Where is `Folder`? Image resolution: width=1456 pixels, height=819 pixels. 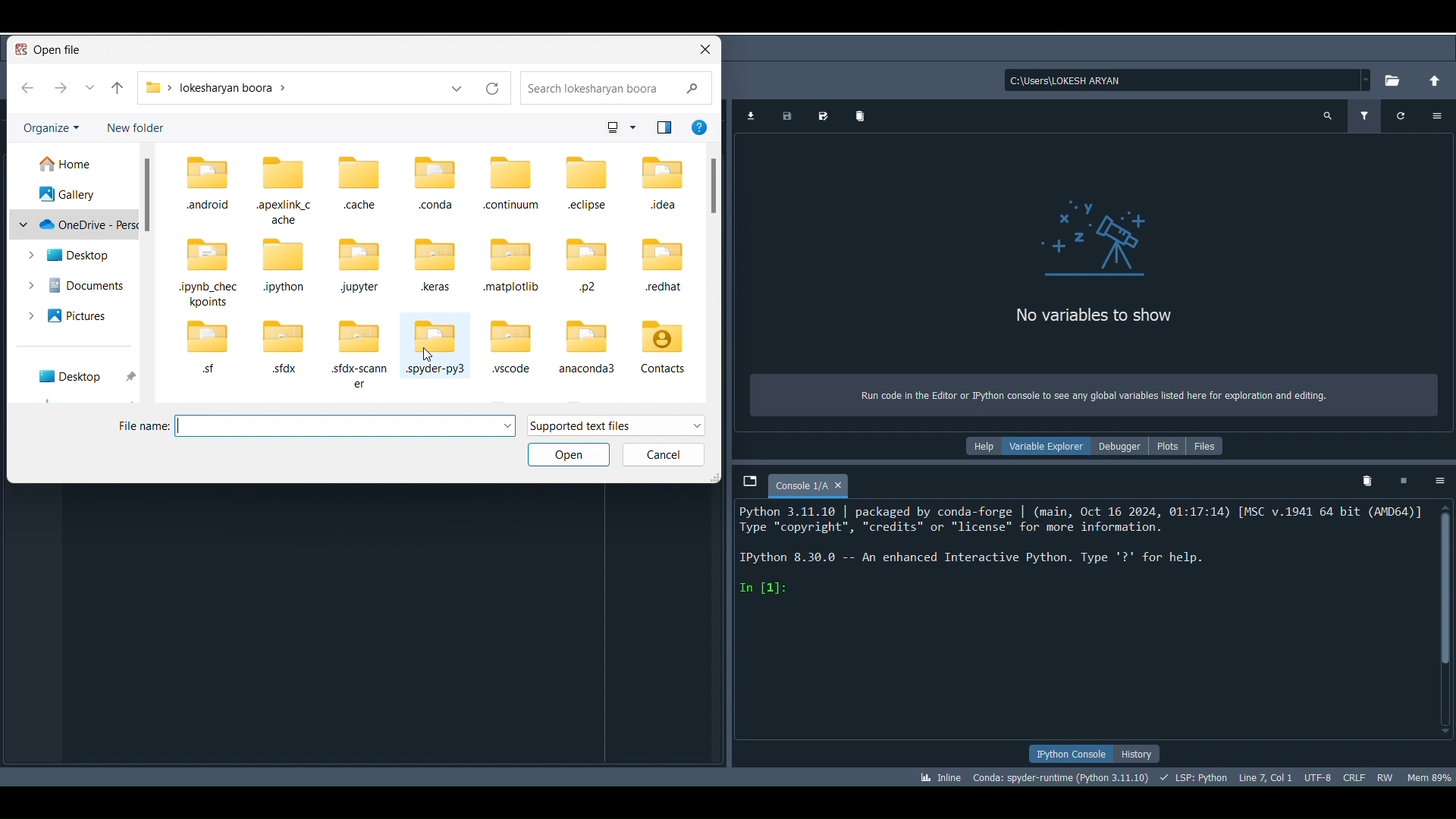
Folder is located at coordinates (282, 346).